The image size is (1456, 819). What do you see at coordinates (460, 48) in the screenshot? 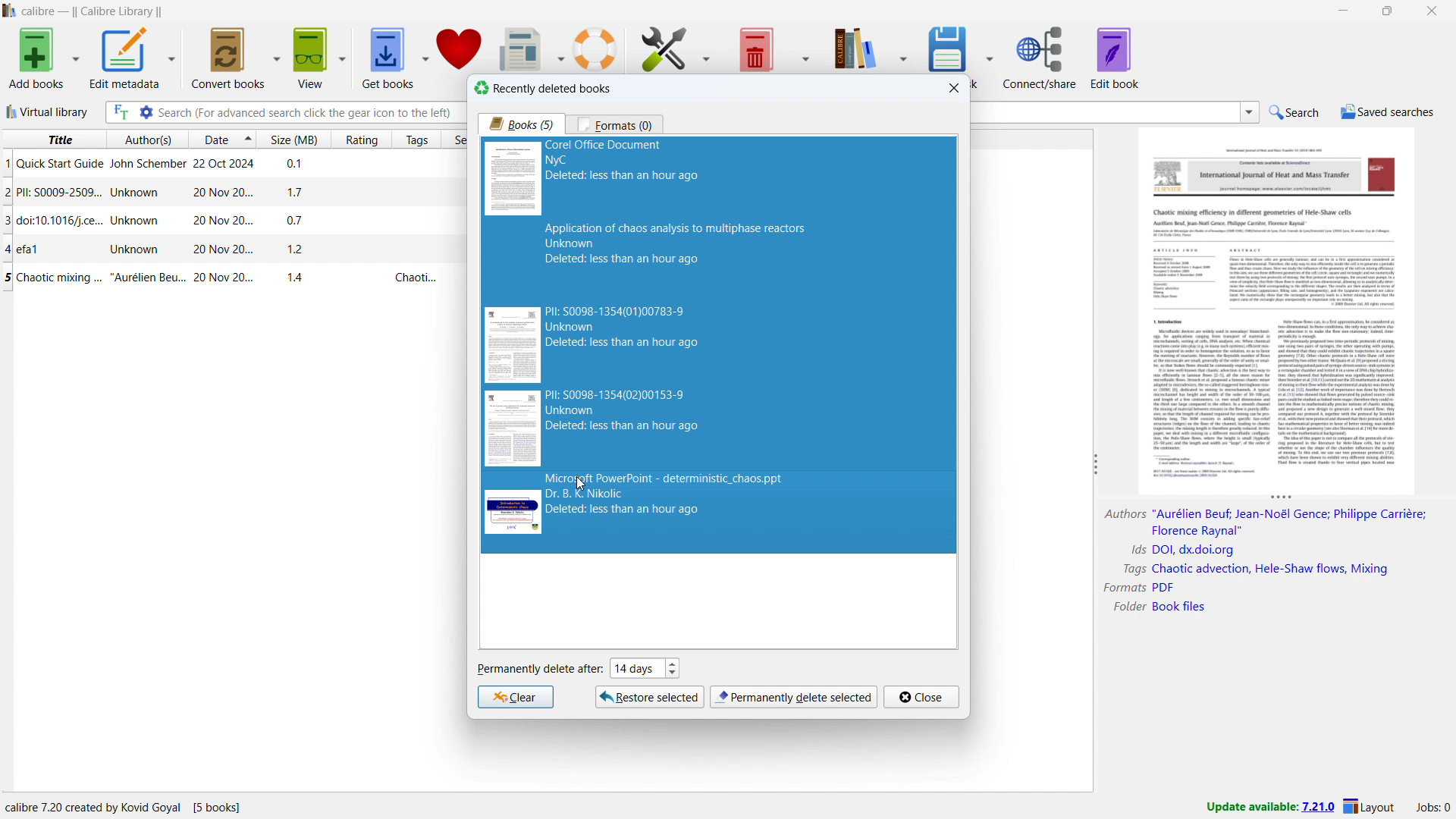
I see `donate to calibre` at bounding box center [460, 48].